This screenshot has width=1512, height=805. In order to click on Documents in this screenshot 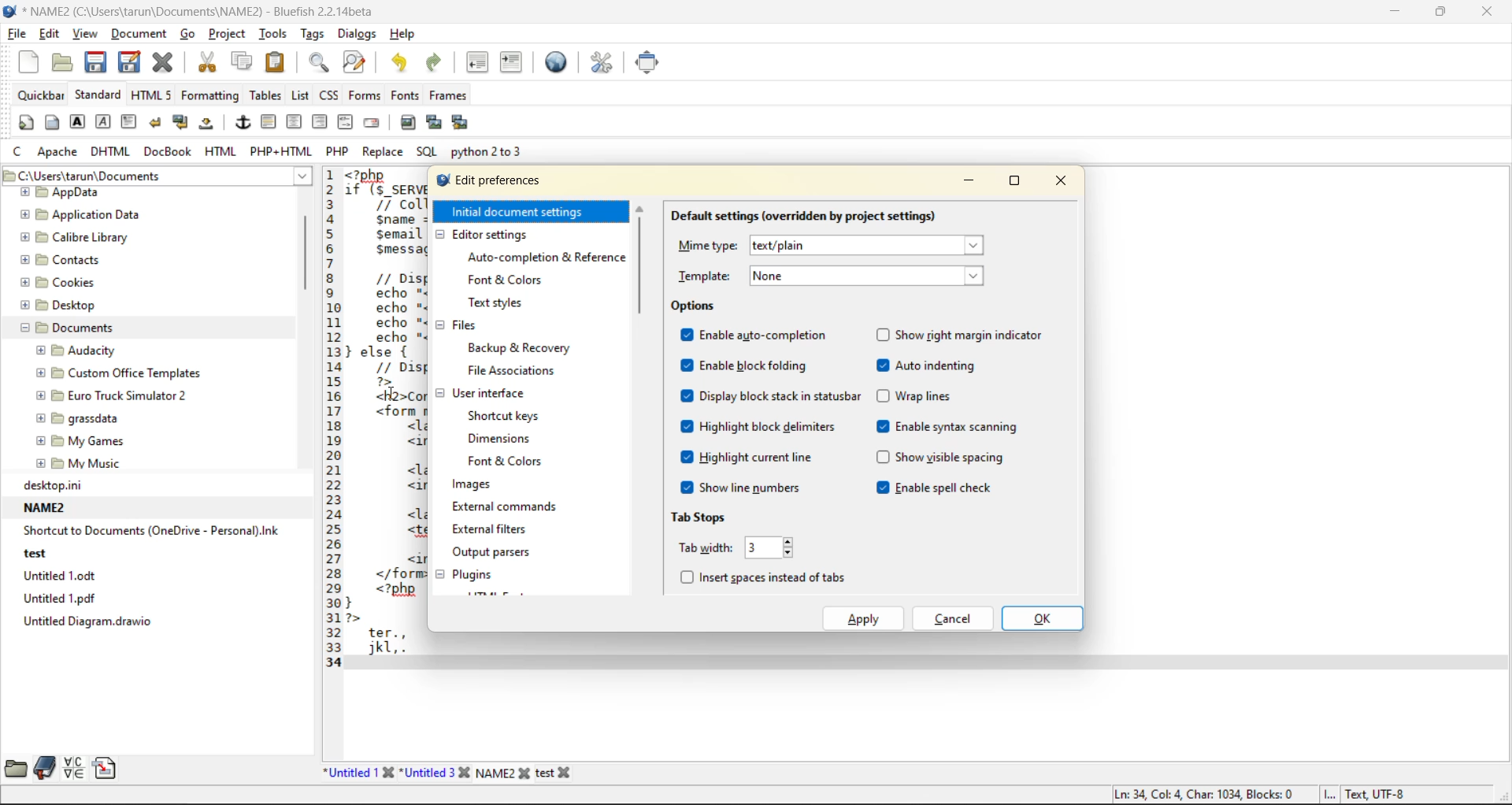, I will do `click(72, 326)`.